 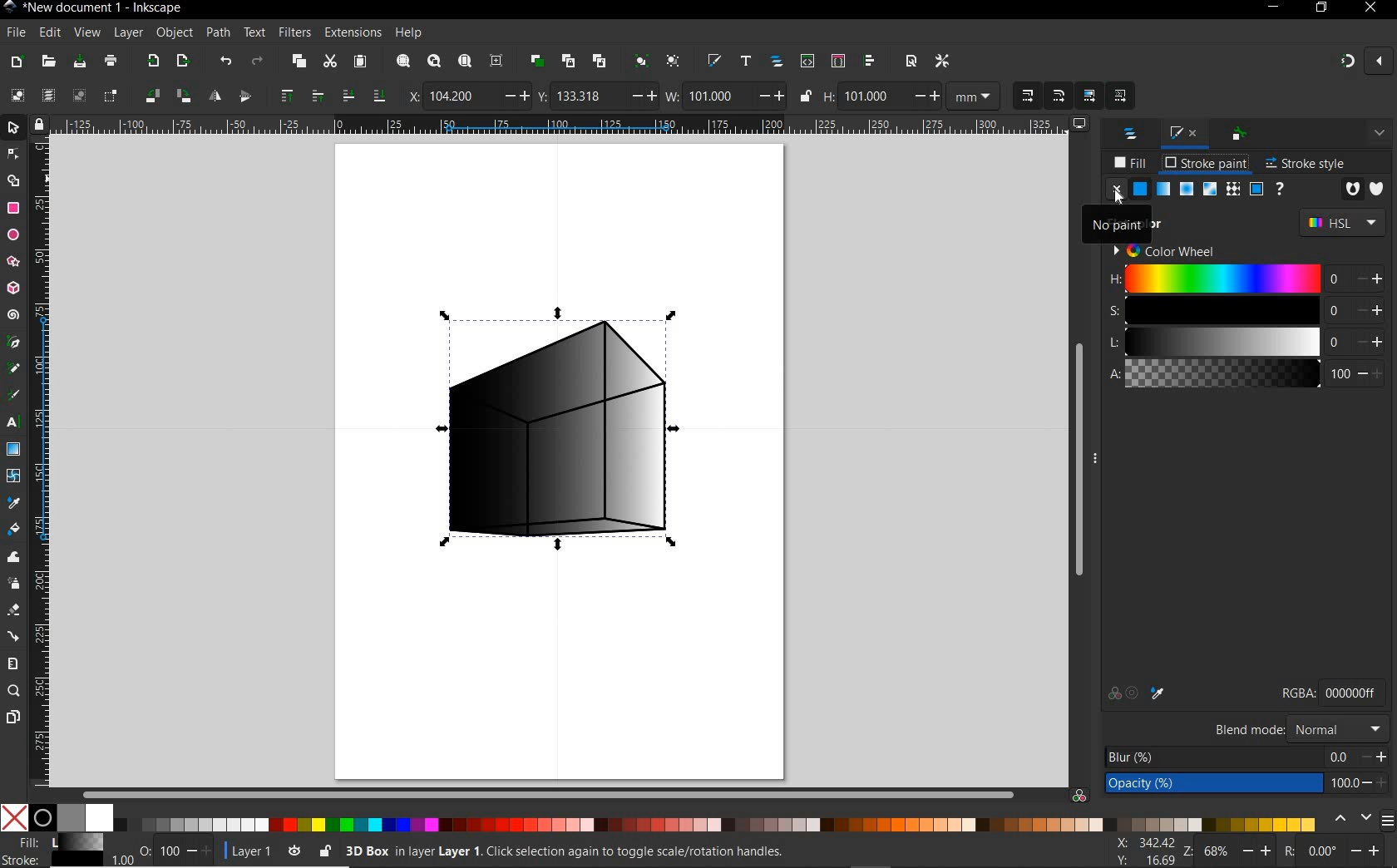 I want to click on UNLINK CLONE, so click(x=601, y=60).